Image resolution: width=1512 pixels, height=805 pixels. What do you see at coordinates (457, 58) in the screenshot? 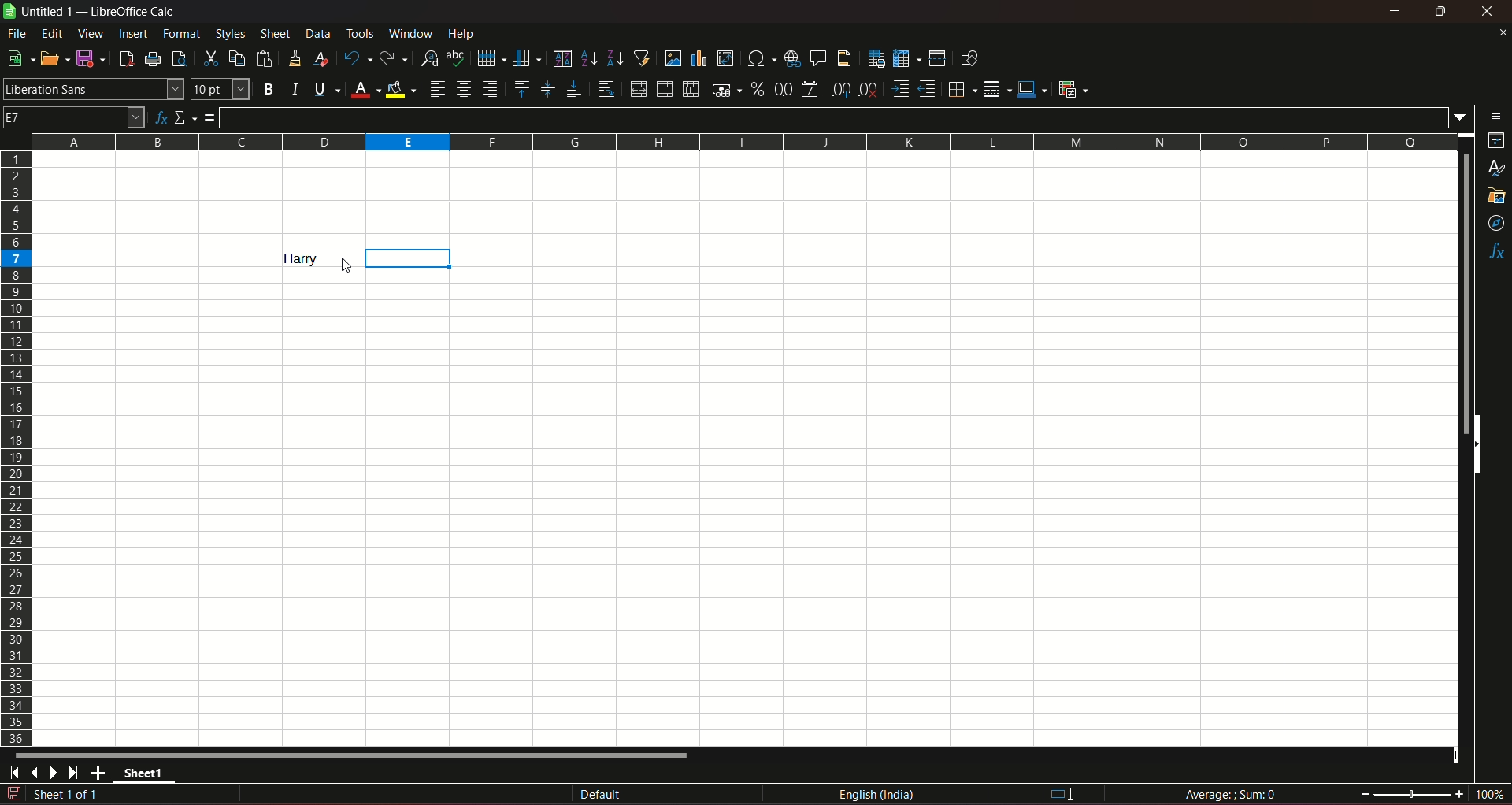
I see `spelling` at bounding box center [457, 58].